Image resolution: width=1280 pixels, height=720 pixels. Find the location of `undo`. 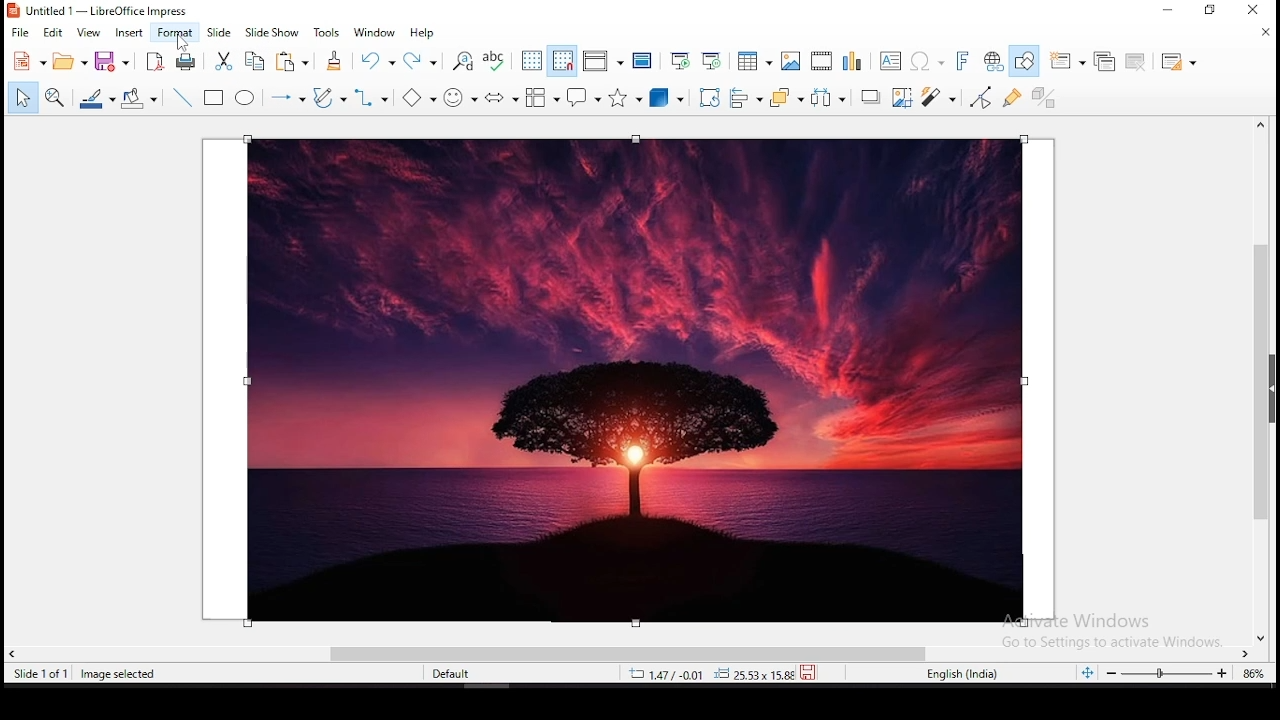

undo is located at coordinates (379, 61).